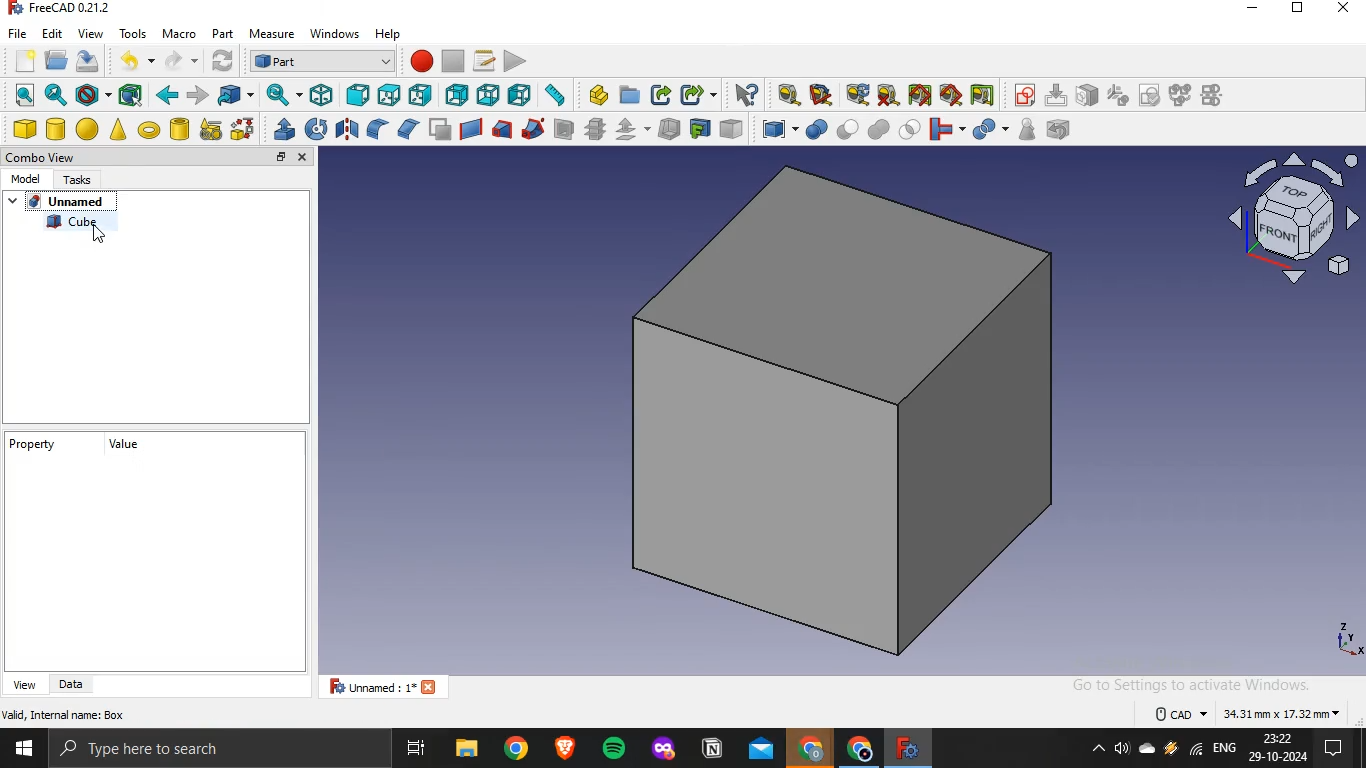 The height and width of the screenshot is (768, 1366). What do you see at coordinates (52, 32) in the screenshot?
I see `edit` at bounding box center [52, 32].